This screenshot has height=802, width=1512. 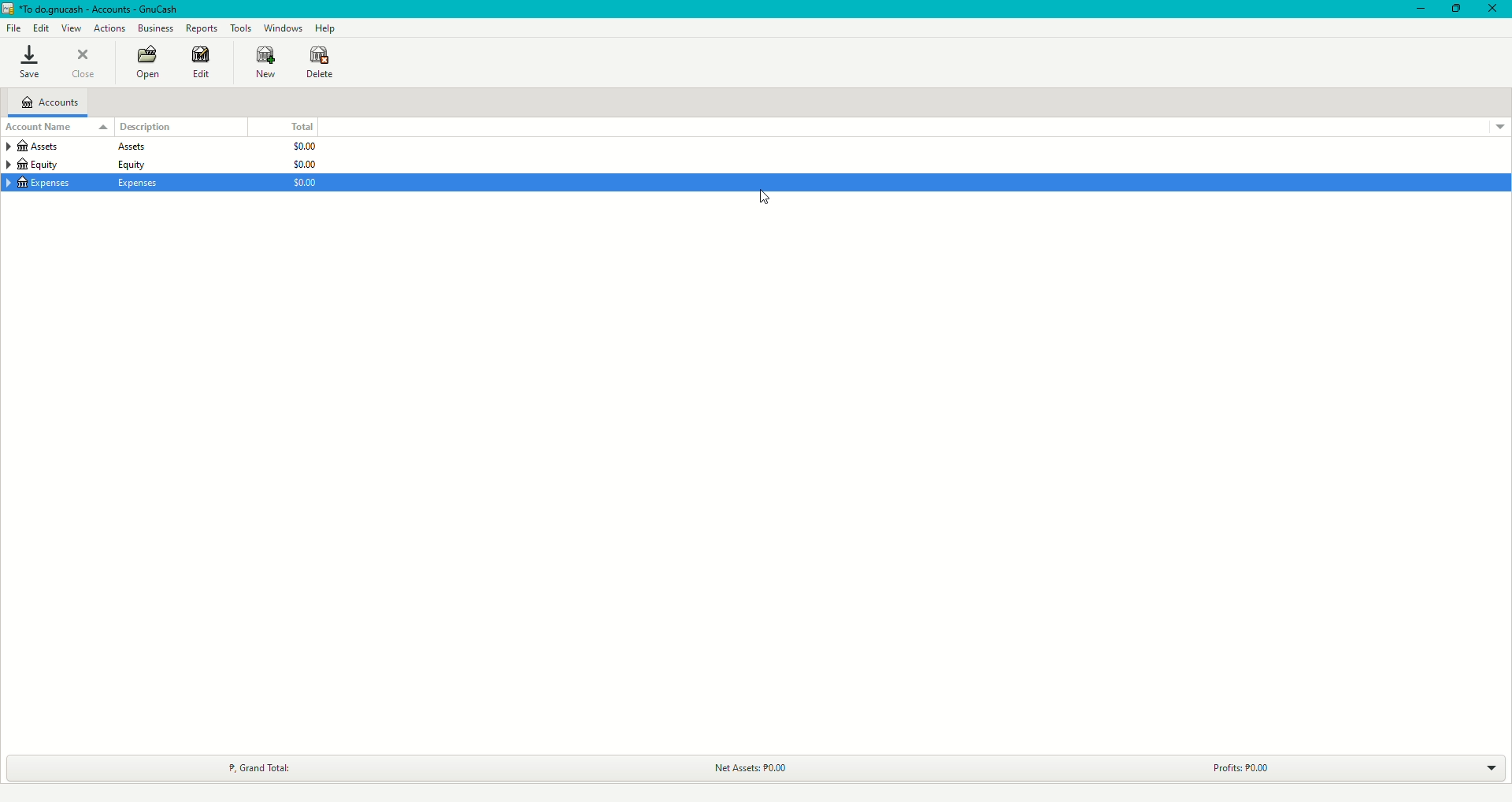 I want to click on Cursor, so click(x=759, y=202).